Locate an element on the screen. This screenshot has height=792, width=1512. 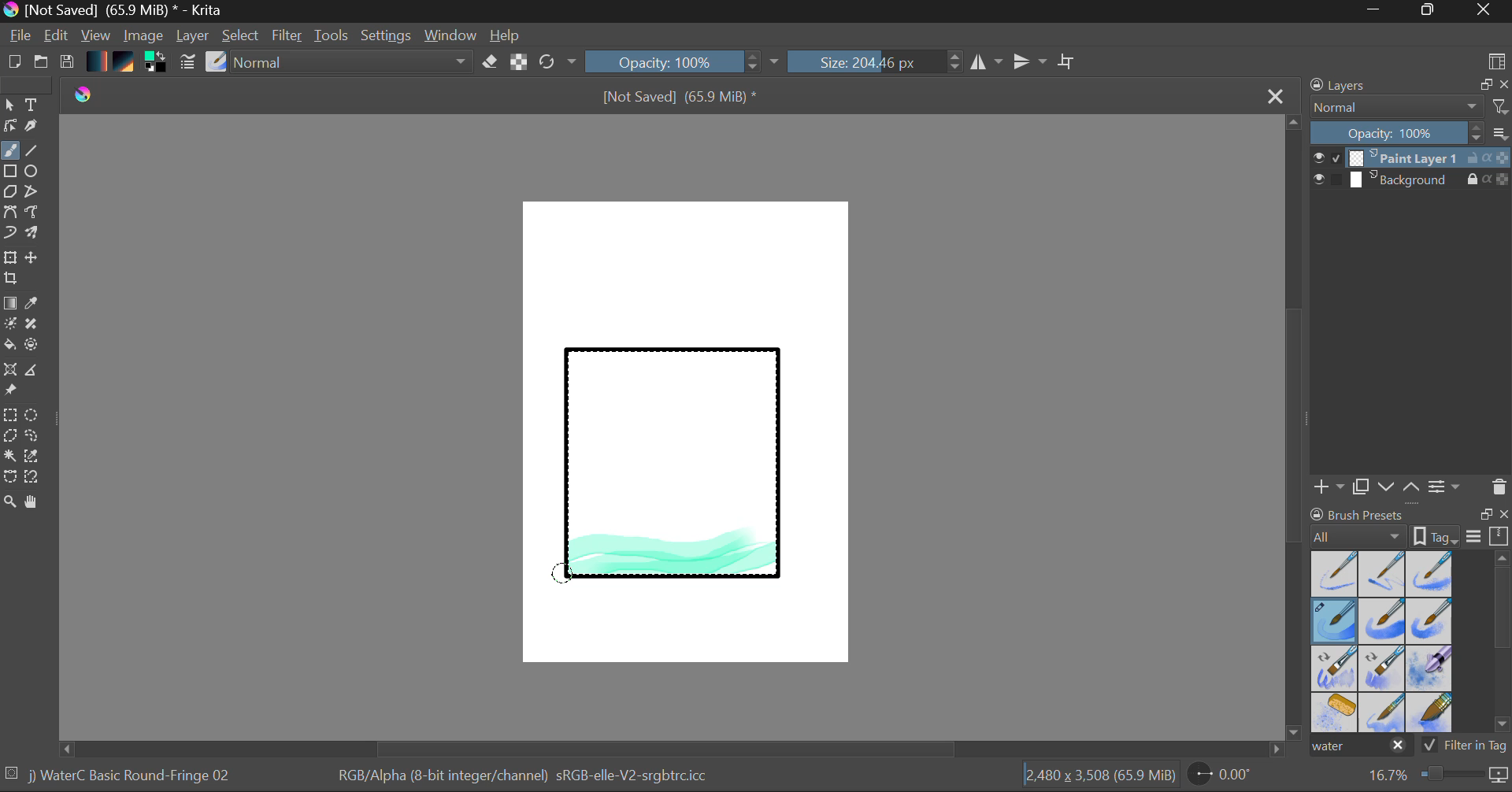
Eraser is located at coordinates (491, 62).